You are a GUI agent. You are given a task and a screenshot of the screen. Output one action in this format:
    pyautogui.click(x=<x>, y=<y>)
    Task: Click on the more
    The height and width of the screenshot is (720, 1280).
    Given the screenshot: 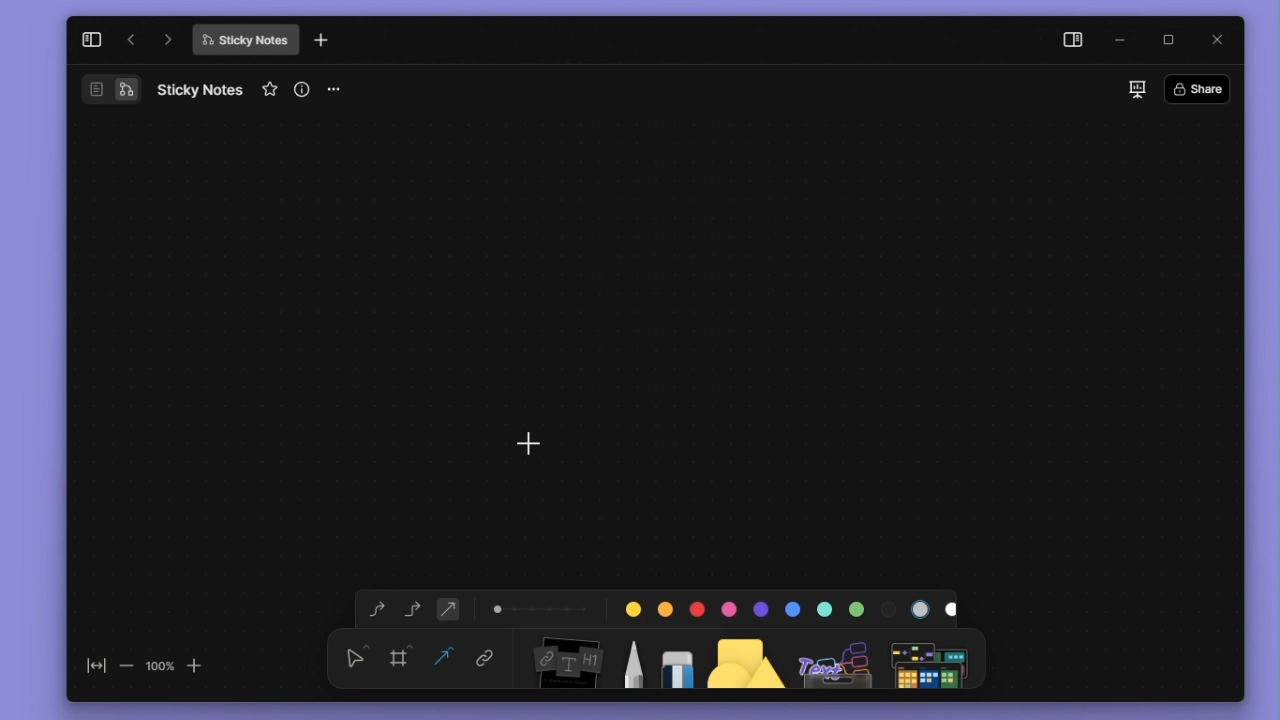 What is the action you would take?
    pyautogui.click(x=341, y=90)
    